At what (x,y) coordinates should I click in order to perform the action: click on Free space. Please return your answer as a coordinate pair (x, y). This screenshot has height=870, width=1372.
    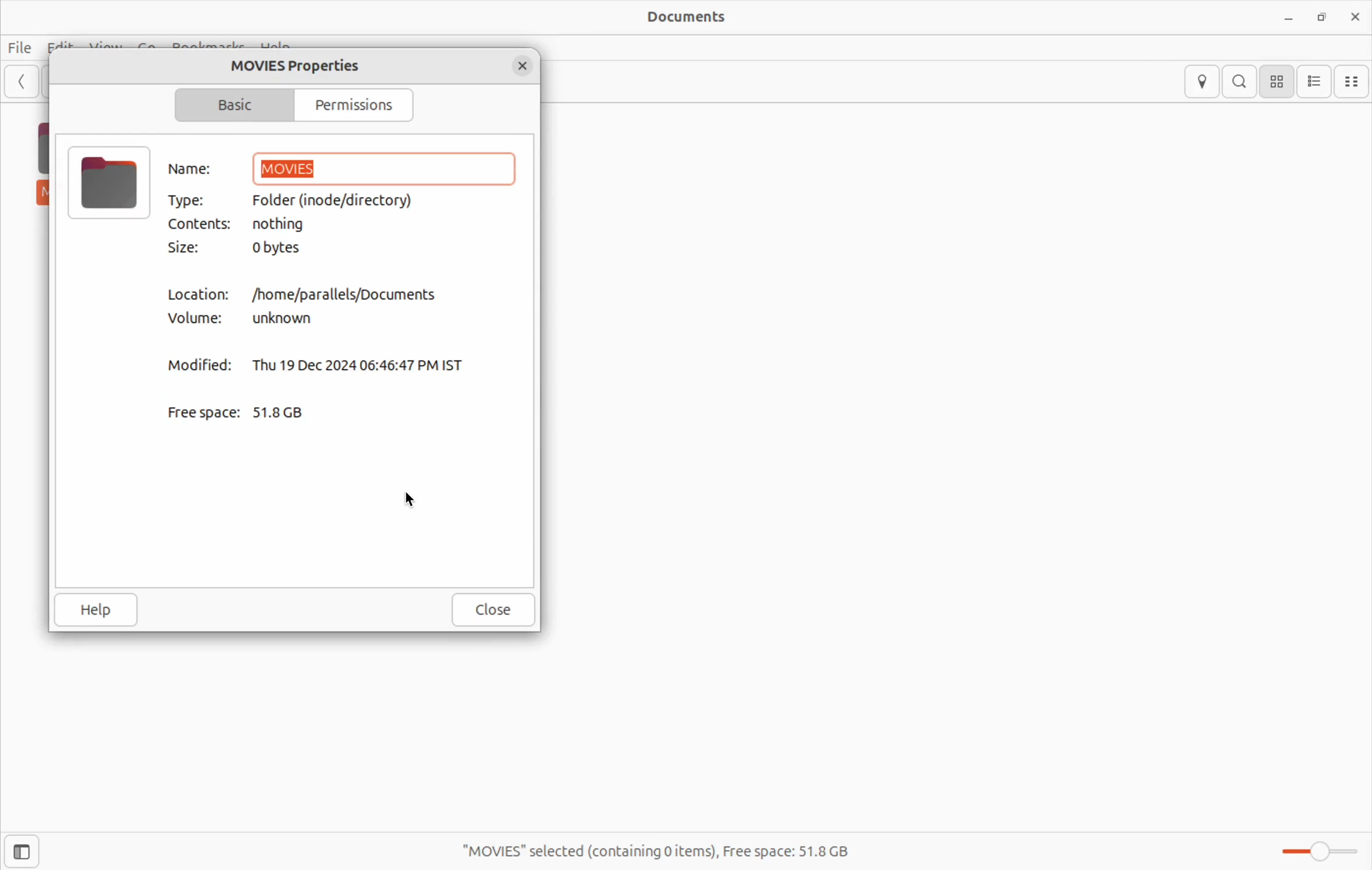
    Looking at the image, I should click on (203, 412).